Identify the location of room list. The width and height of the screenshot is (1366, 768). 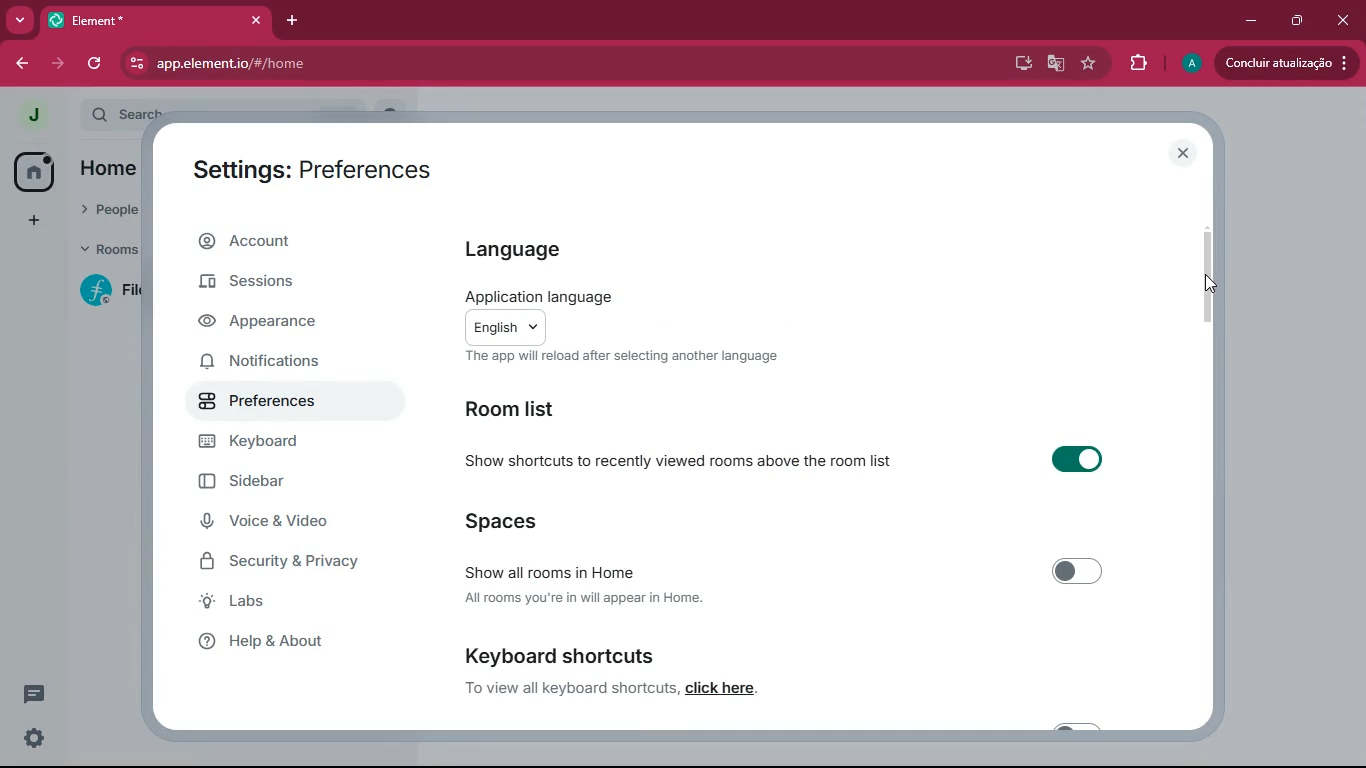
(531, 406).